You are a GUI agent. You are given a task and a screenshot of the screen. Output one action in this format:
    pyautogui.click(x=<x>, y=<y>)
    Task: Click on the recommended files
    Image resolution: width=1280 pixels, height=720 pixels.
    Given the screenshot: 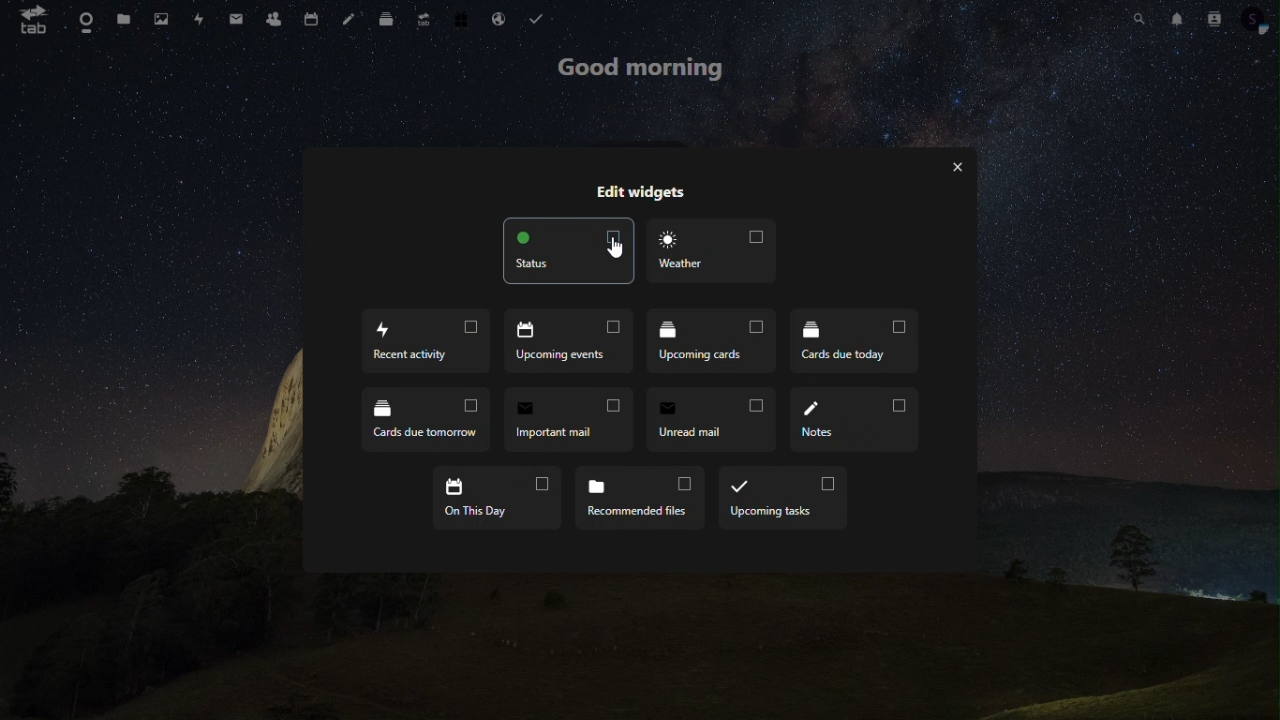 What is the action you would take?
    pyautogui.click(x=644, y=498)
    